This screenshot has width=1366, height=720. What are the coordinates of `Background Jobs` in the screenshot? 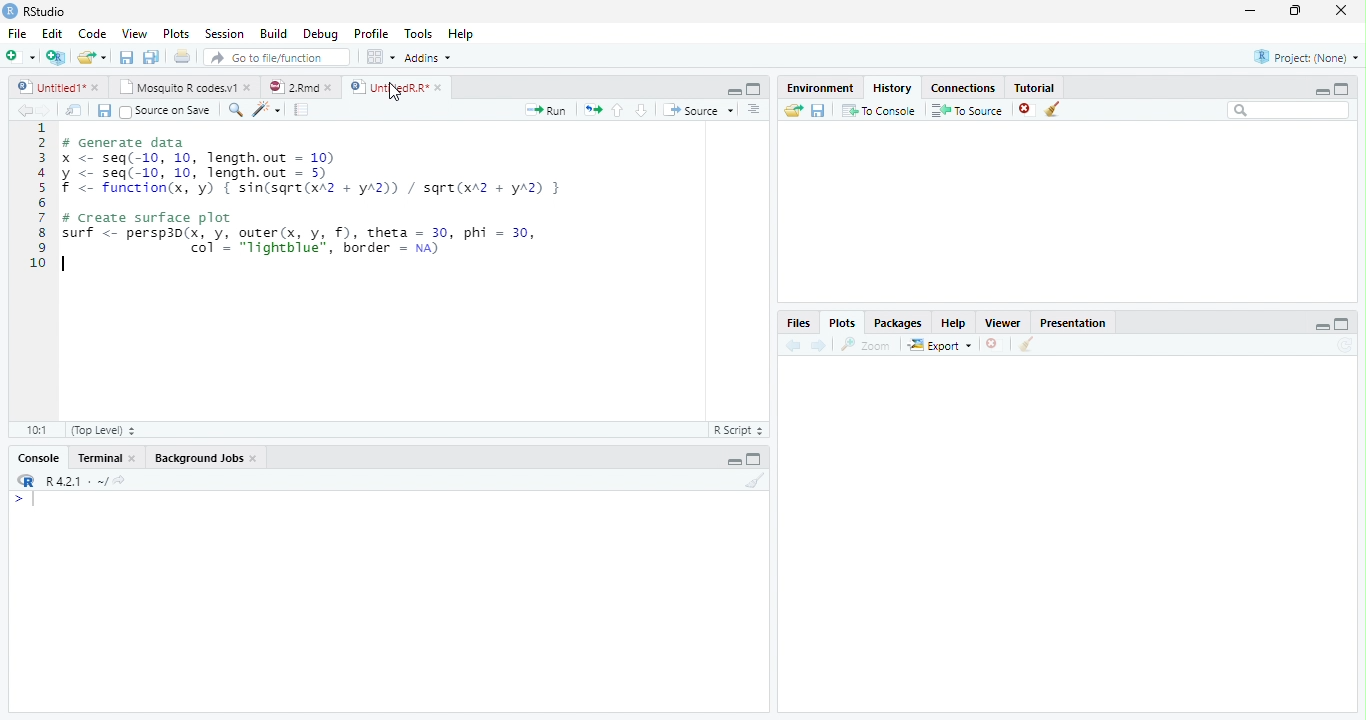 It's located at (199, 458).